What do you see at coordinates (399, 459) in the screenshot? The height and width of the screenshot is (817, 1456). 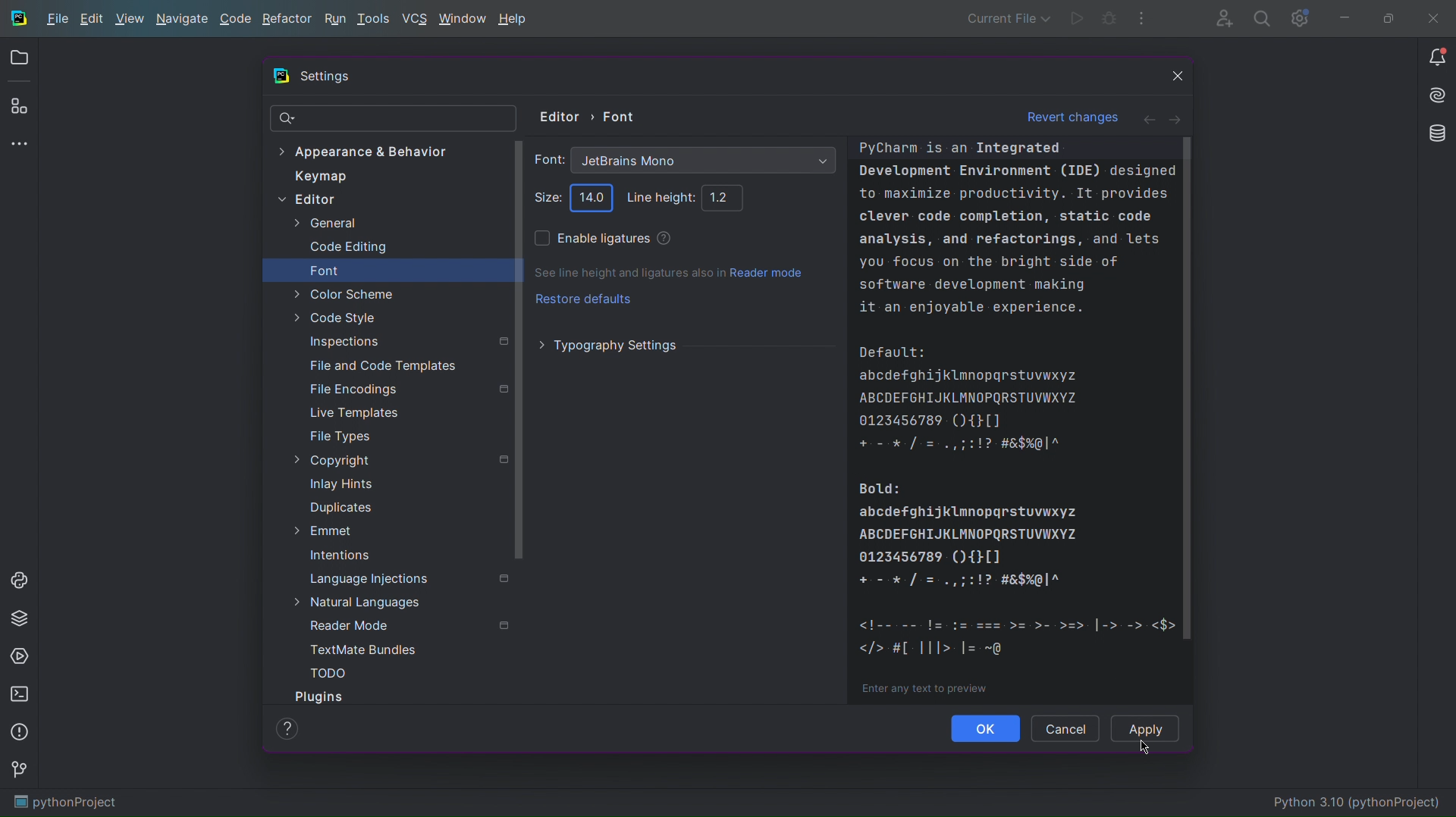 I see `Copyright` at bounding box center [399, 459].